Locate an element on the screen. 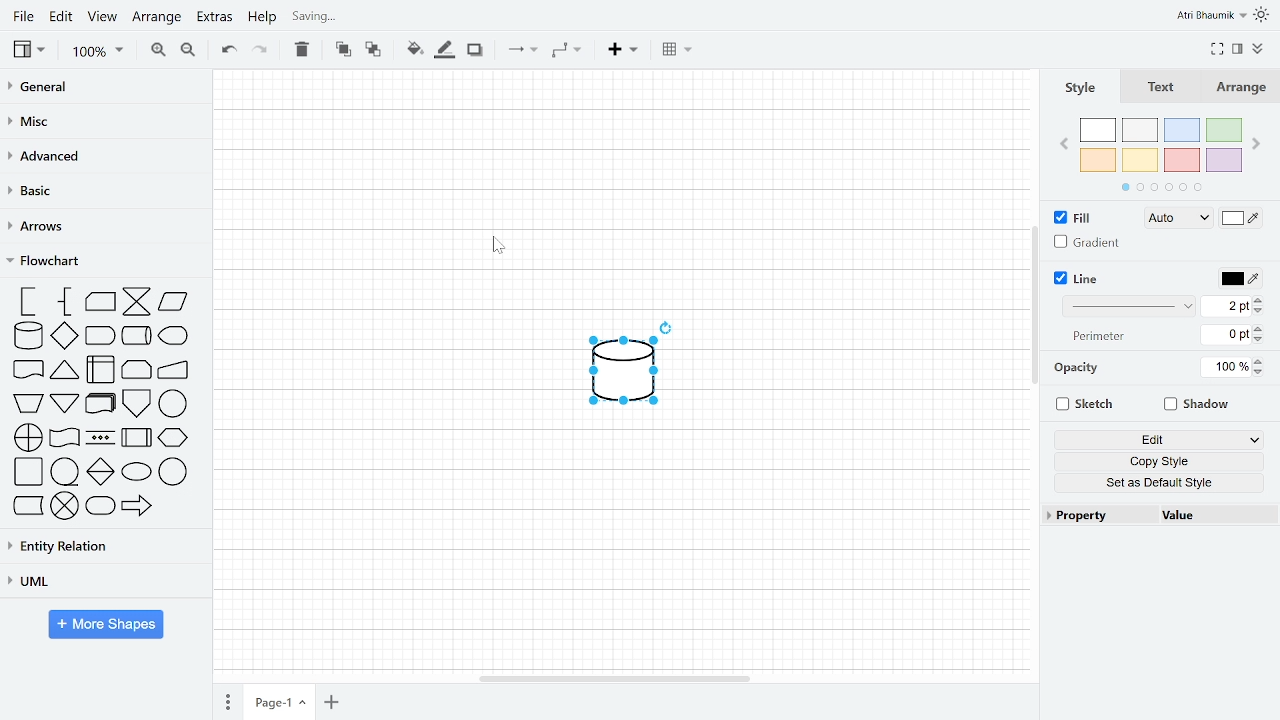  To front is located at coordinates (343, 51).